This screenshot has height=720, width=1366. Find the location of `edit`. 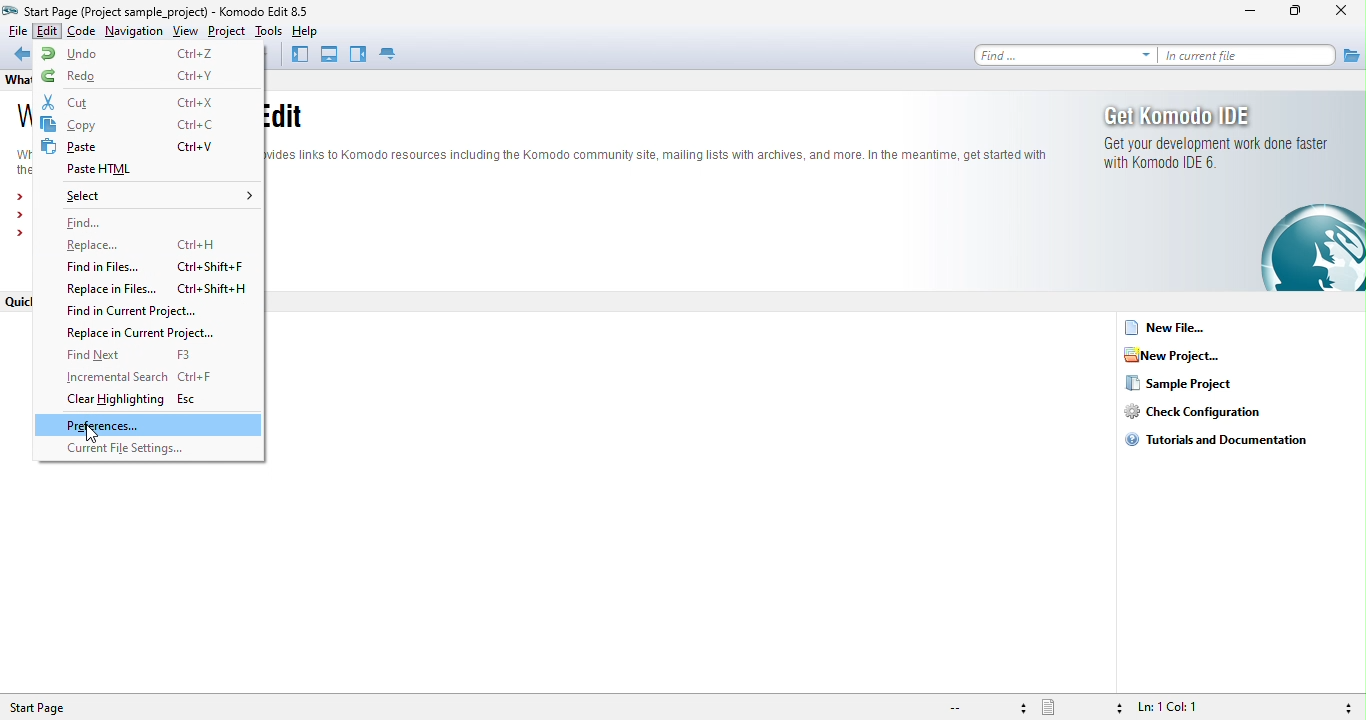

edit is located at coordinates (50, 31).